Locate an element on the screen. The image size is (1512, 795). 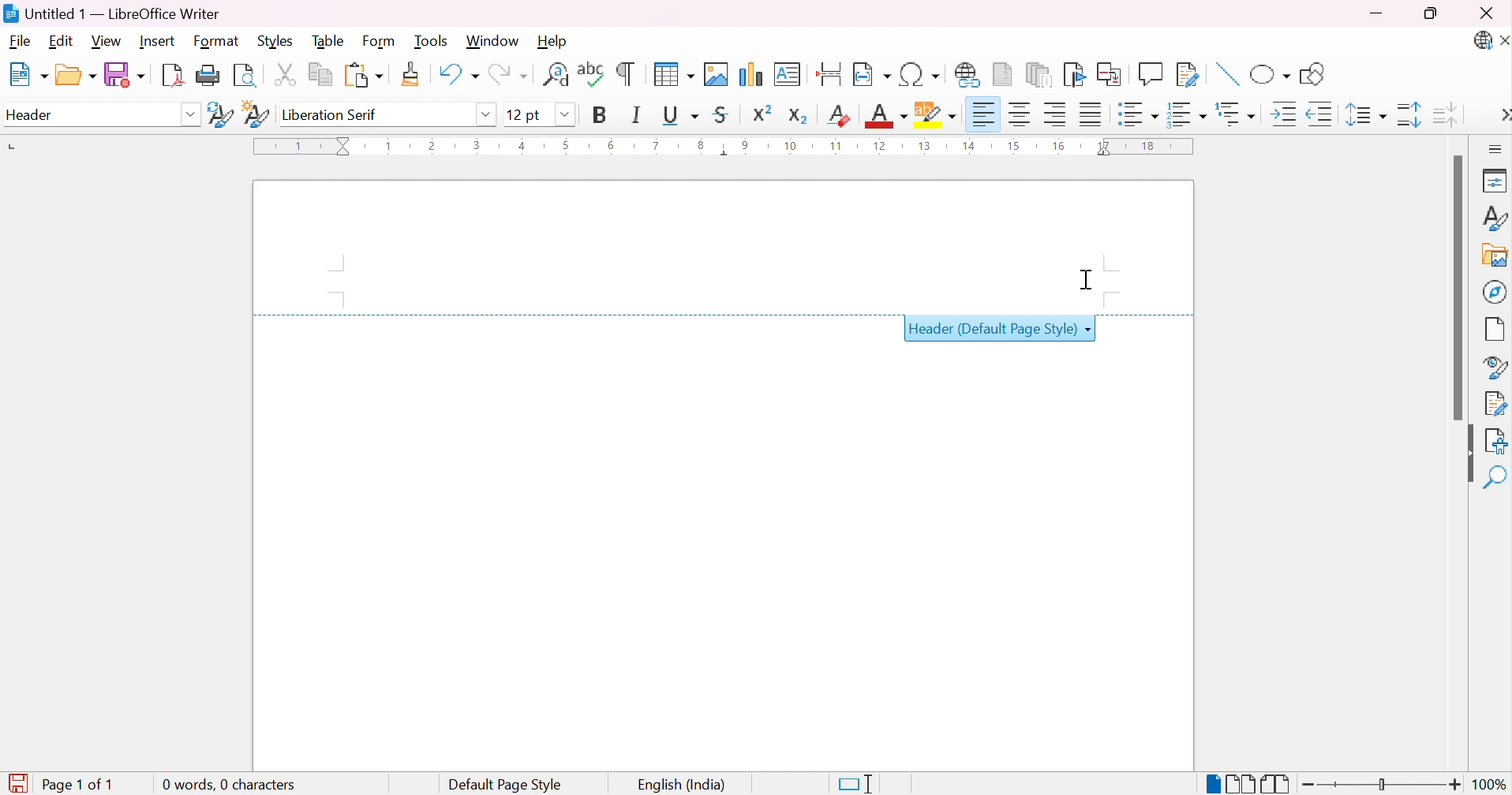
Navigator is located at coordinates (1497, 292).